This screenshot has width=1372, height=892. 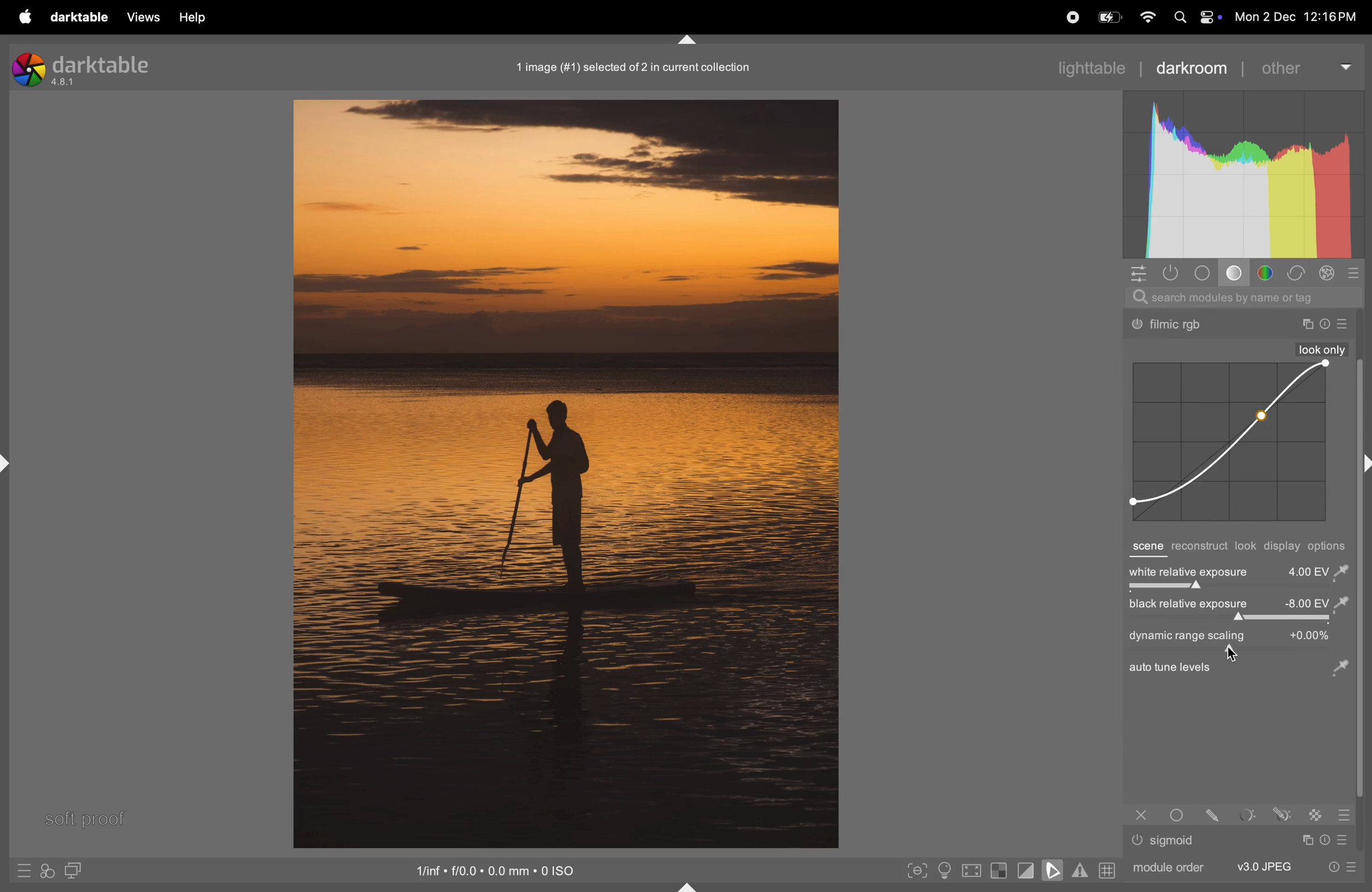 I want to click on toggle indications of raw exposure, so click(x=998, y=870).